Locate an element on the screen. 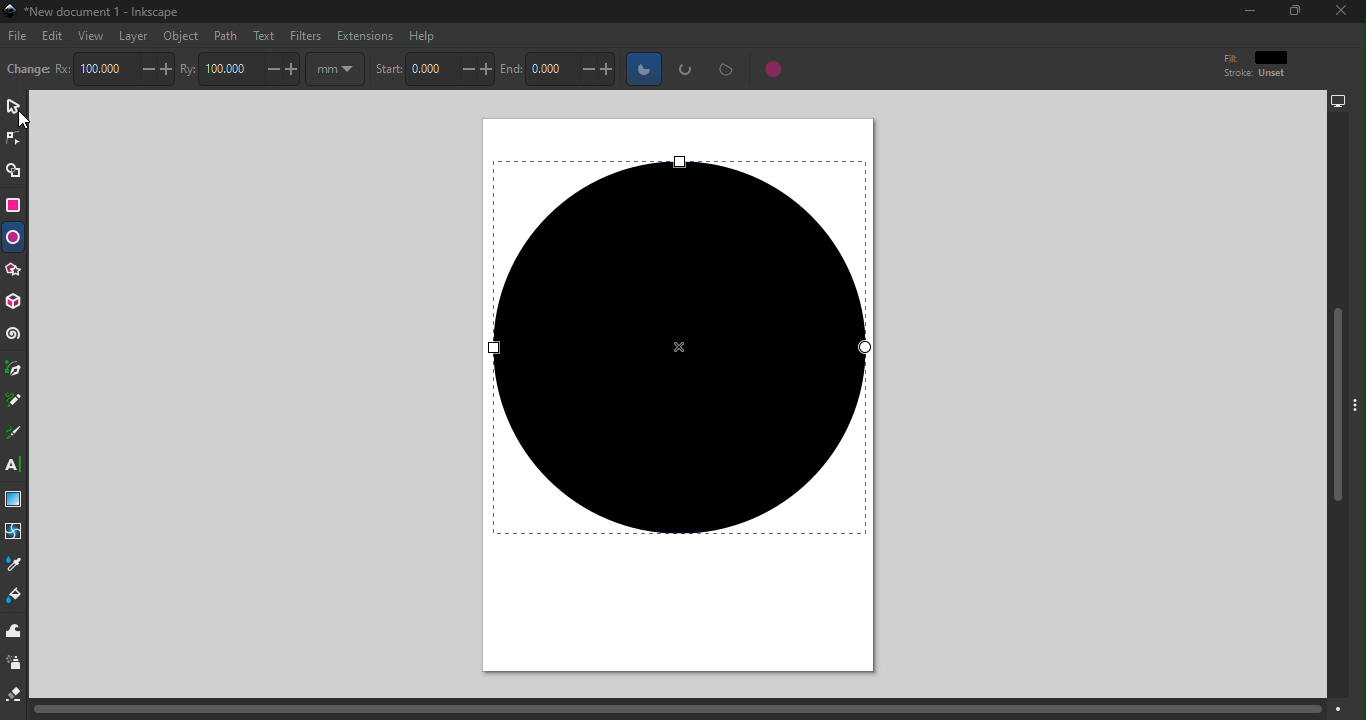 Image resolution: width=1366 pixels, height=720 pixels. Toggle command bar is located at coordinates (1358, 400).